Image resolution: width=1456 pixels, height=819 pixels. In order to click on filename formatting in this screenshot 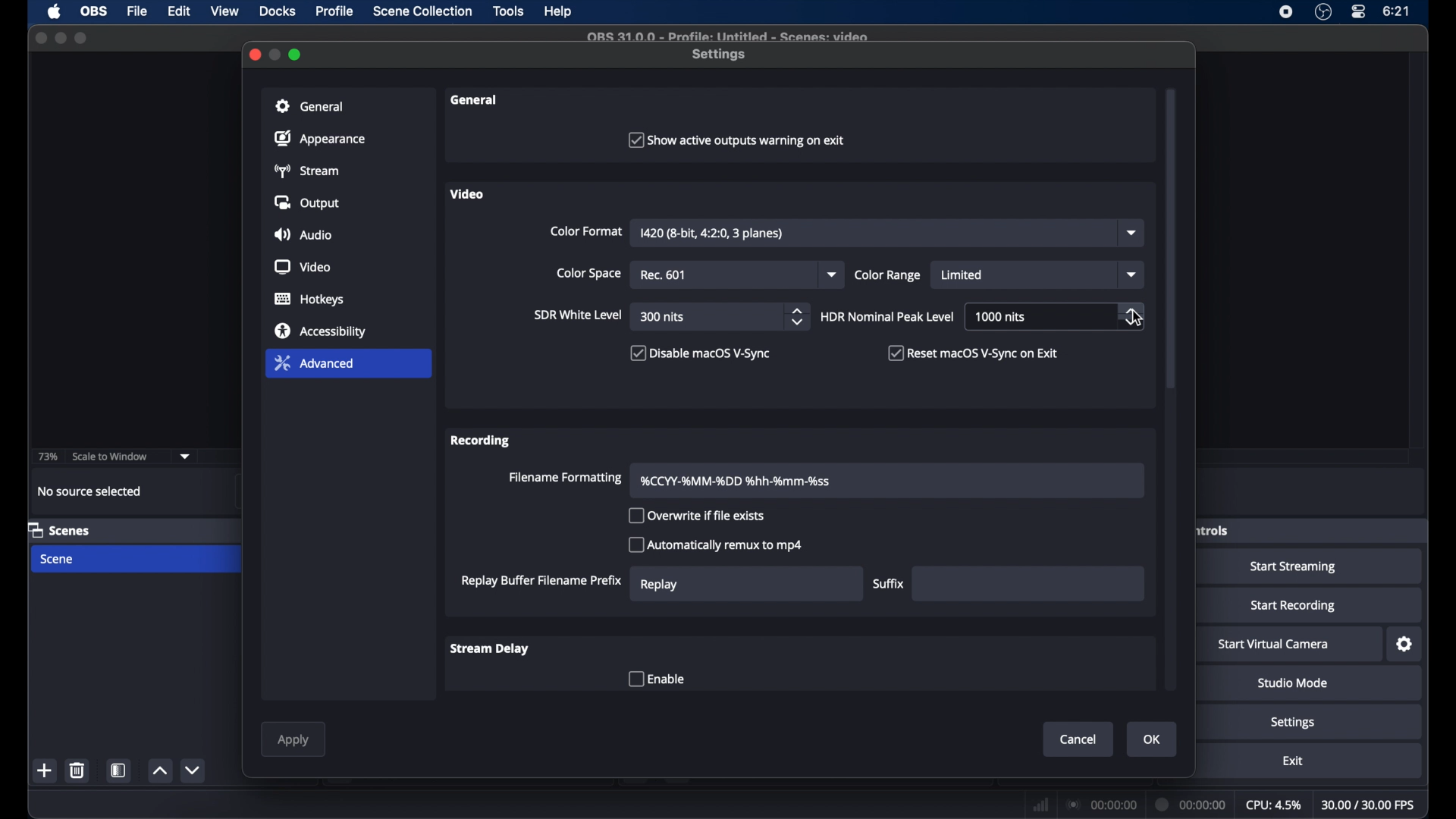, I will do `click(566, 478)`.